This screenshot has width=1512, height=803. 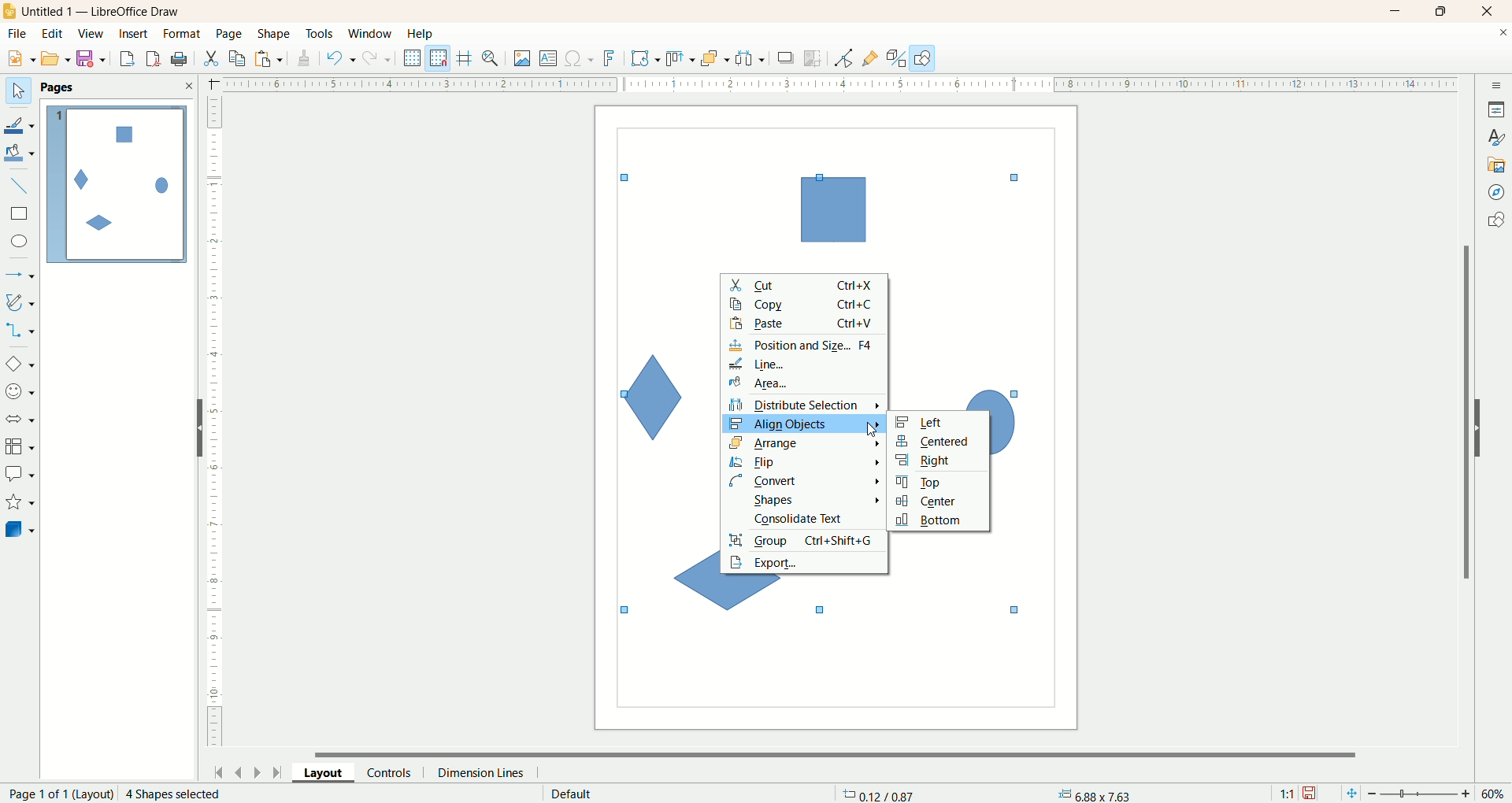 What do you see at coordinates (801, 424) in the screenshot?
I see `align object` at bounding box center [801, 424].